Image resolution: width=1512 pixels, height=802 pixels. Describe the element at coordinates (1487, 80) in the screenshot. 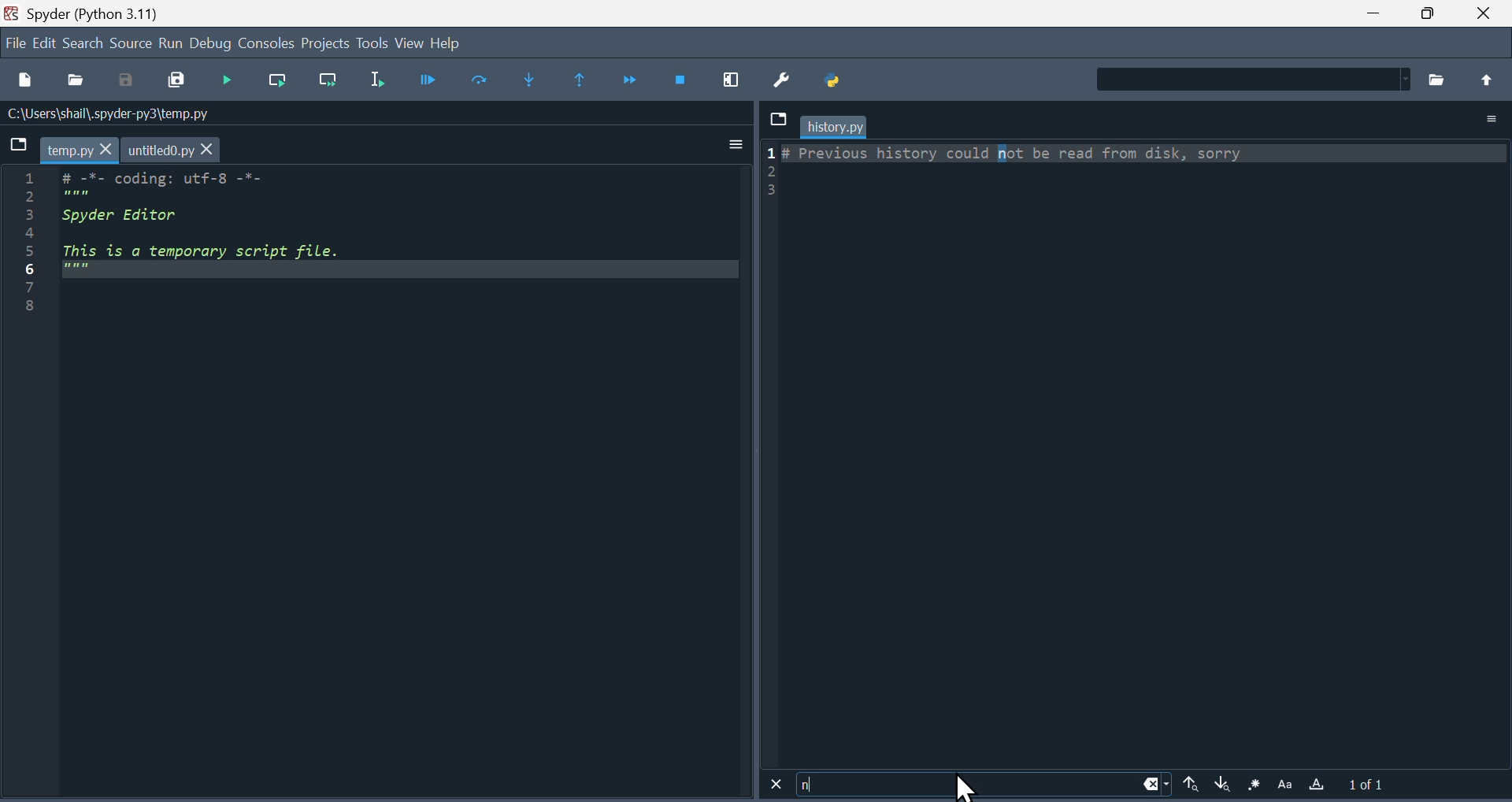

I see `move up` at that location.